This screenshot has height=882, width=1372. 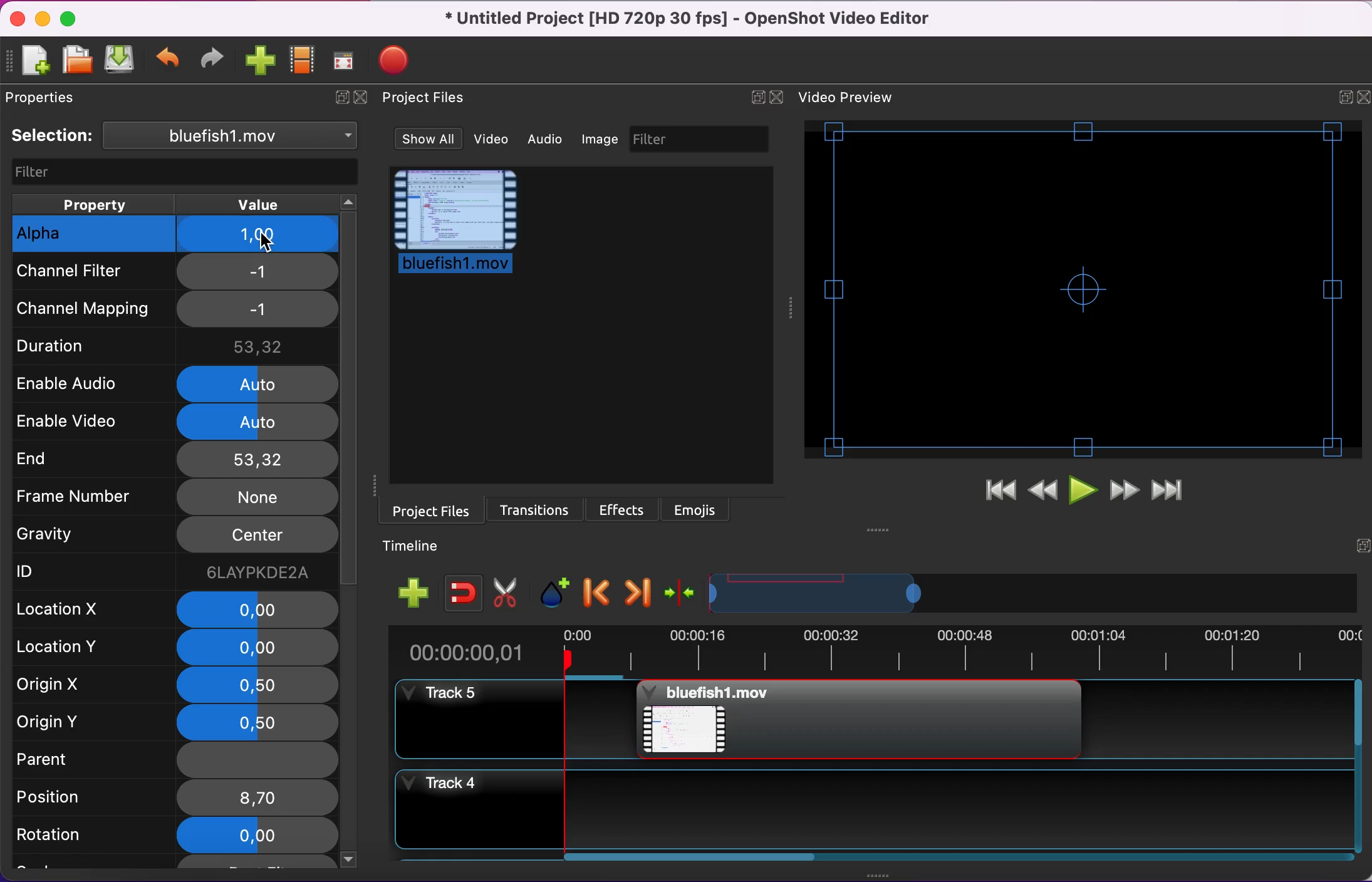 What do you see at coordinates (254, 836) in the screenshot?
I see `0` at bounding box center [254, 836].